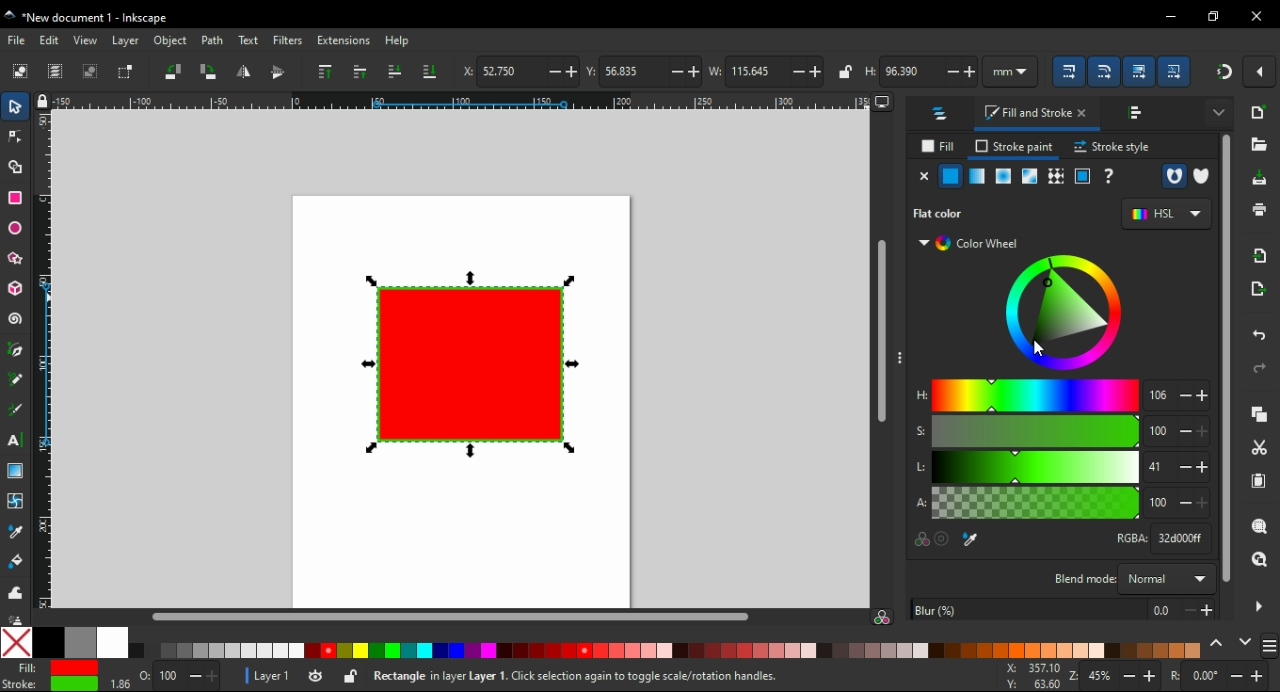  Describe the element at coordinates (271, 677) in the screenshot. I see `layer1` at that location.